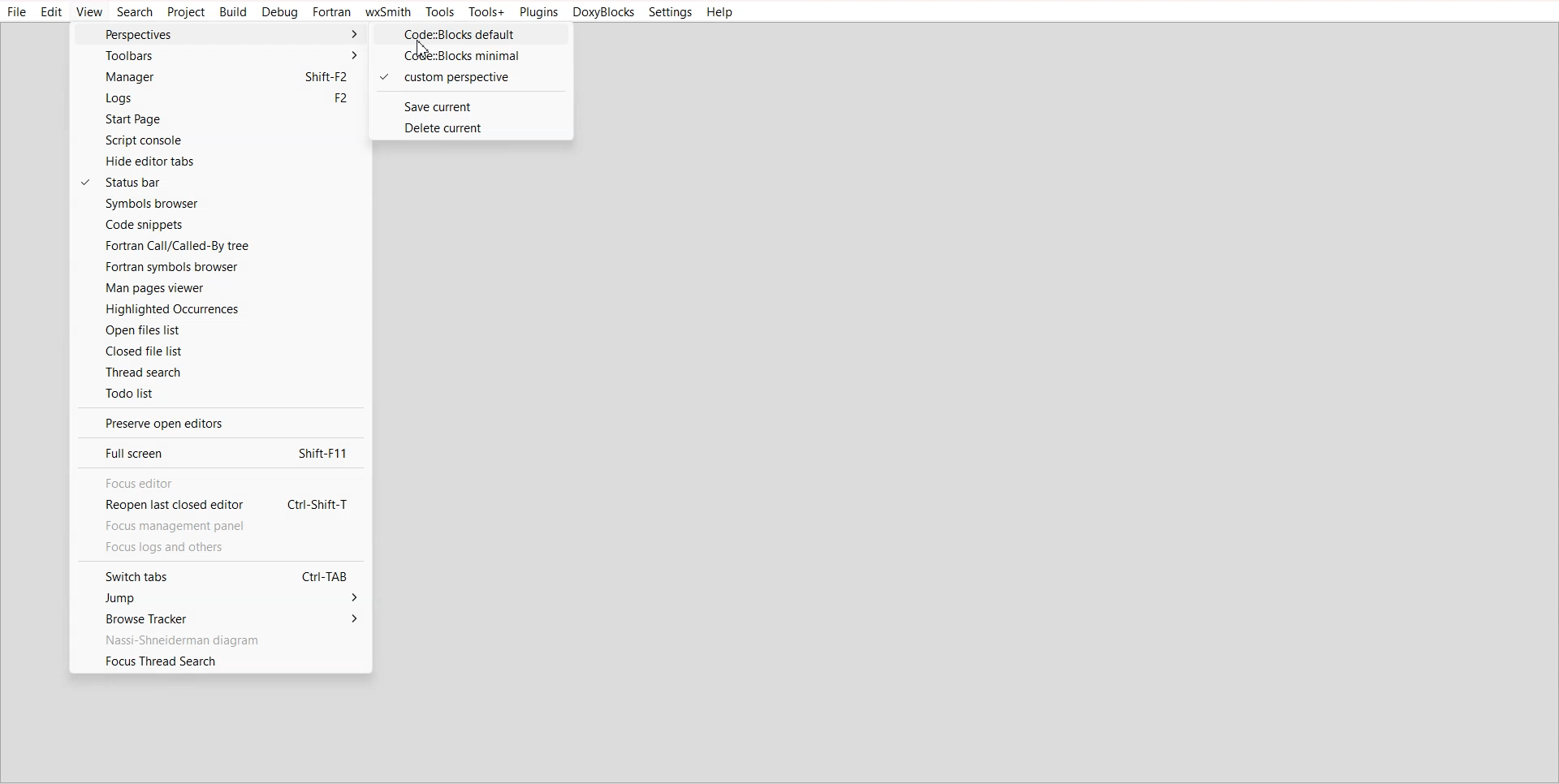 The width and height of the screenshot is (1559, 784). I want to click on wxSmith, so click(388, 12).